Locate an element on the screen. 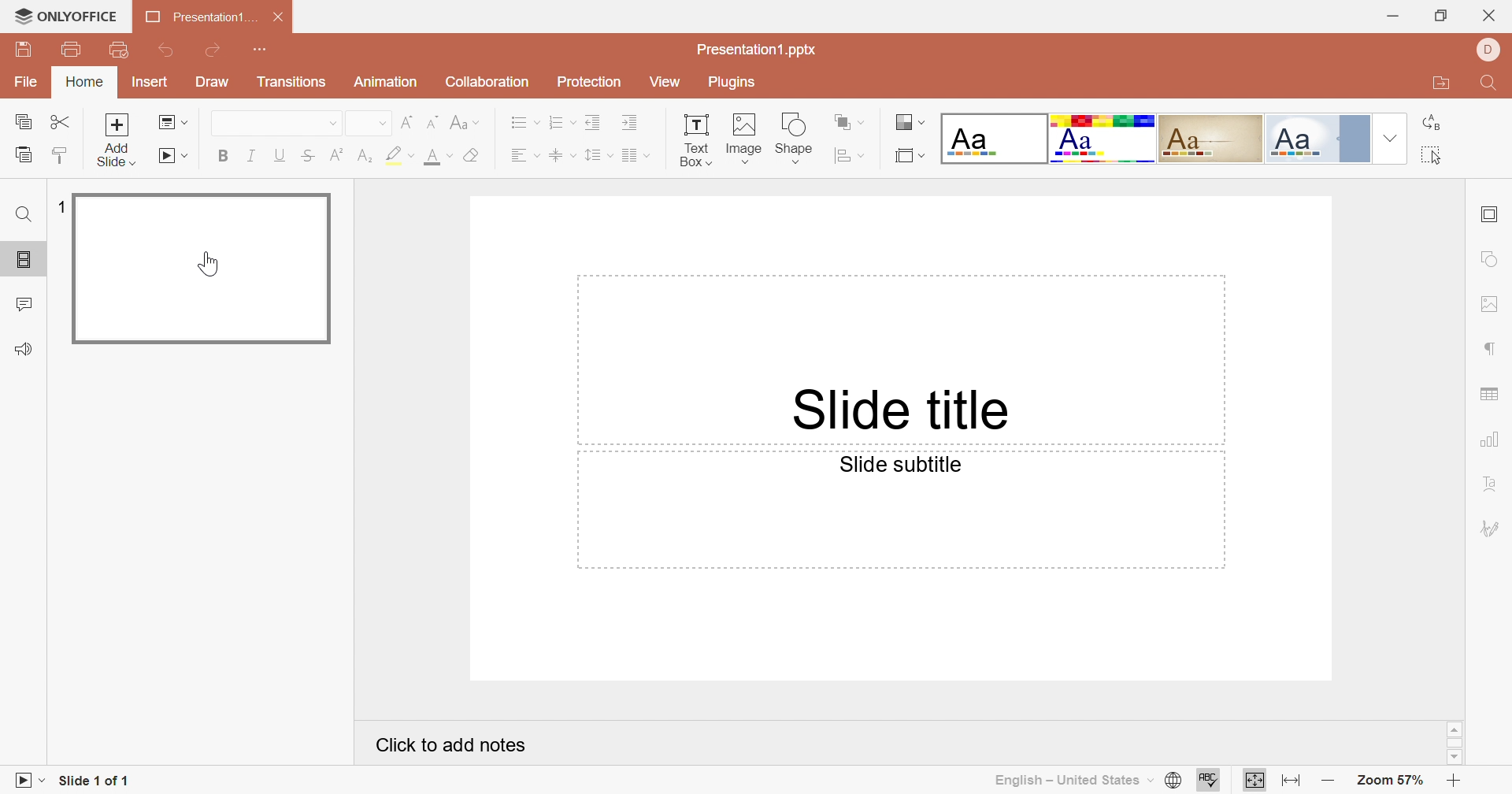 This screenshot has height=794, width=1512. Scroll Up is located at coordinates (1449, 728).